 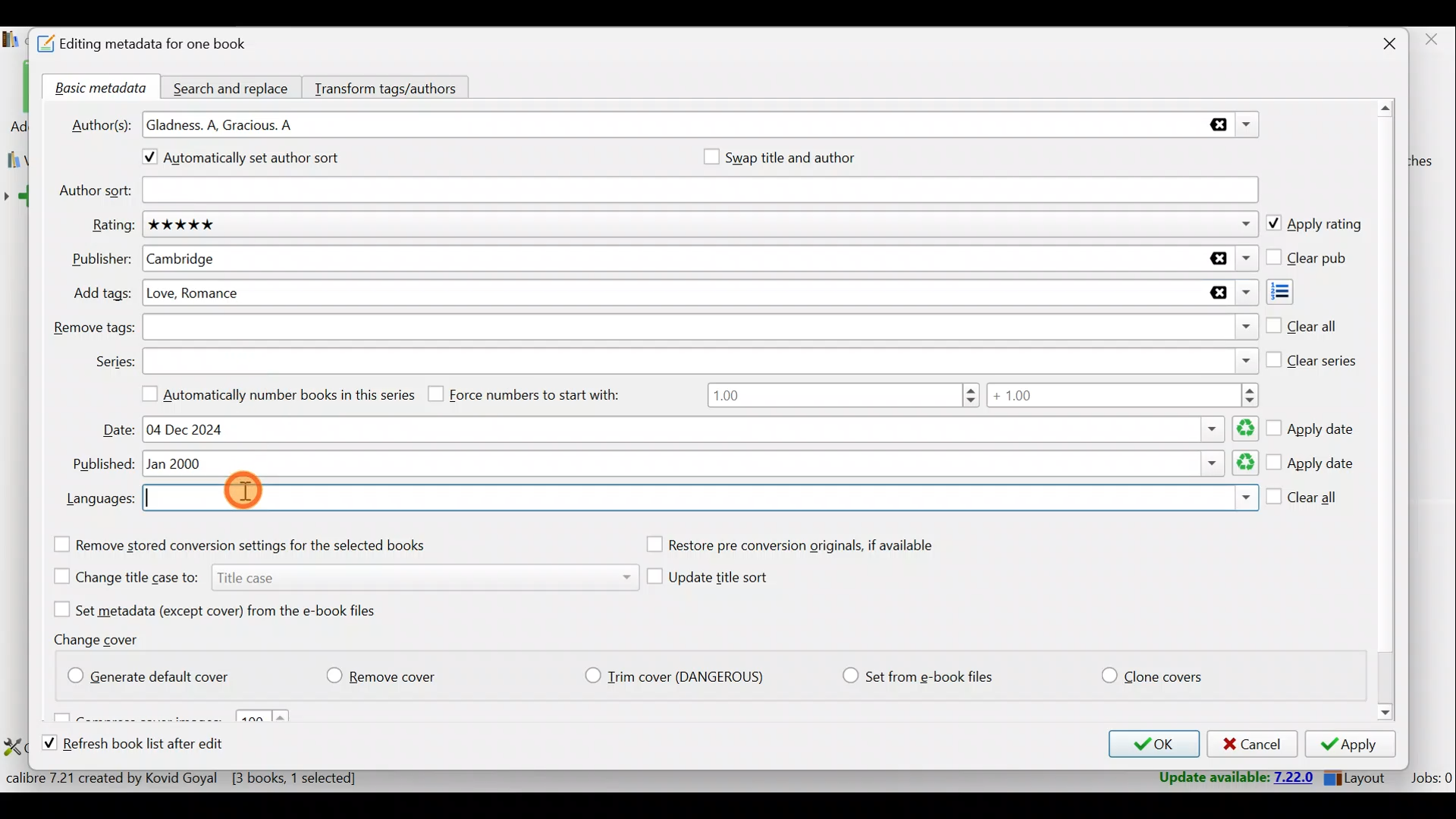 I want to click on Apply rating, so click(x=1313, y=225).